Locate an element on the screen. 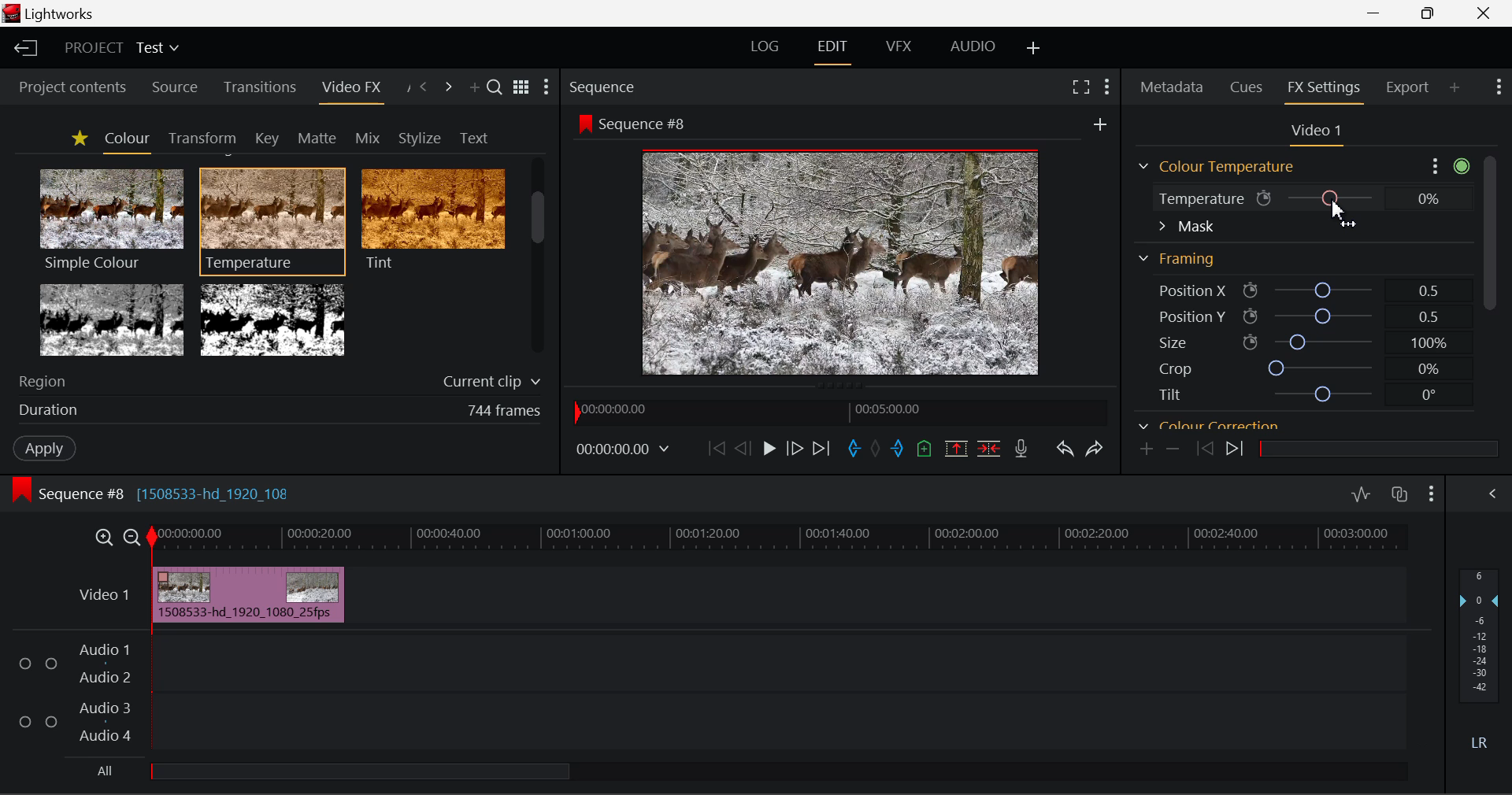 This screenshot has height=795, width=1512. Sequence Preview Section is located at coordinates (605, 89).